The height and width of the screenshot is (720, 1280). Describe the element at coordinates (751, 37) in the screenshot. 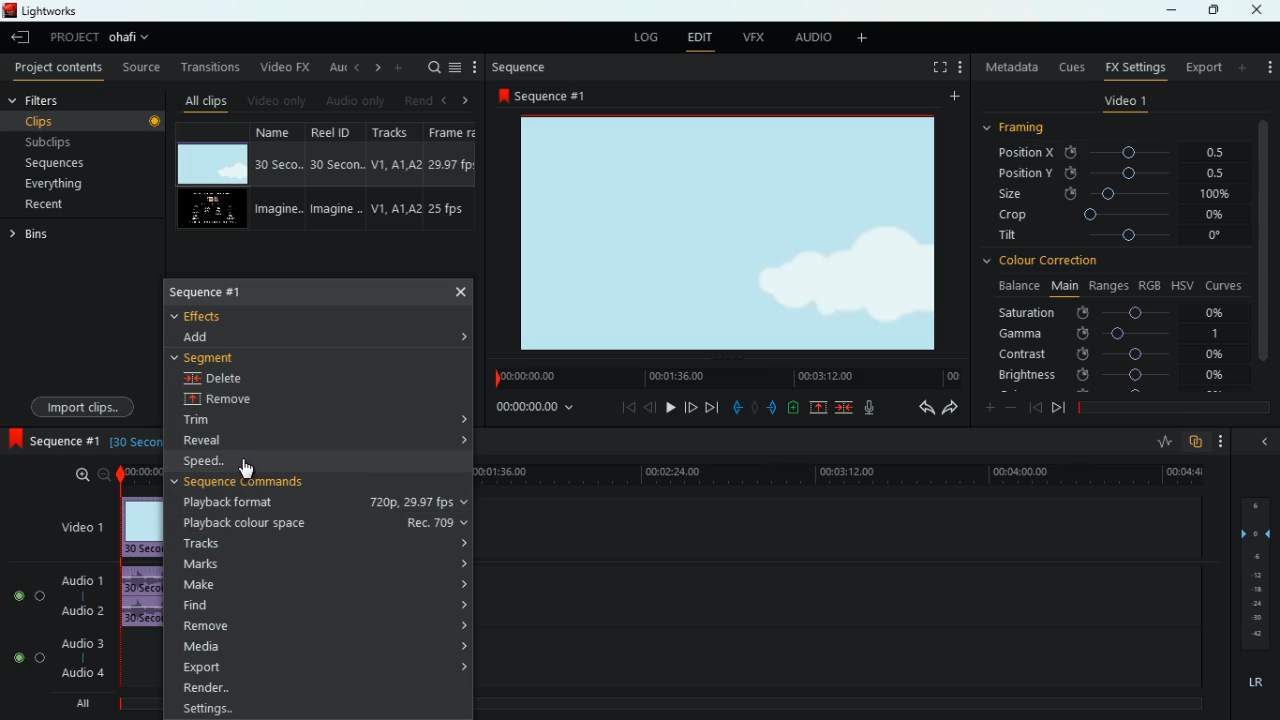

I see `vfx` at that location.